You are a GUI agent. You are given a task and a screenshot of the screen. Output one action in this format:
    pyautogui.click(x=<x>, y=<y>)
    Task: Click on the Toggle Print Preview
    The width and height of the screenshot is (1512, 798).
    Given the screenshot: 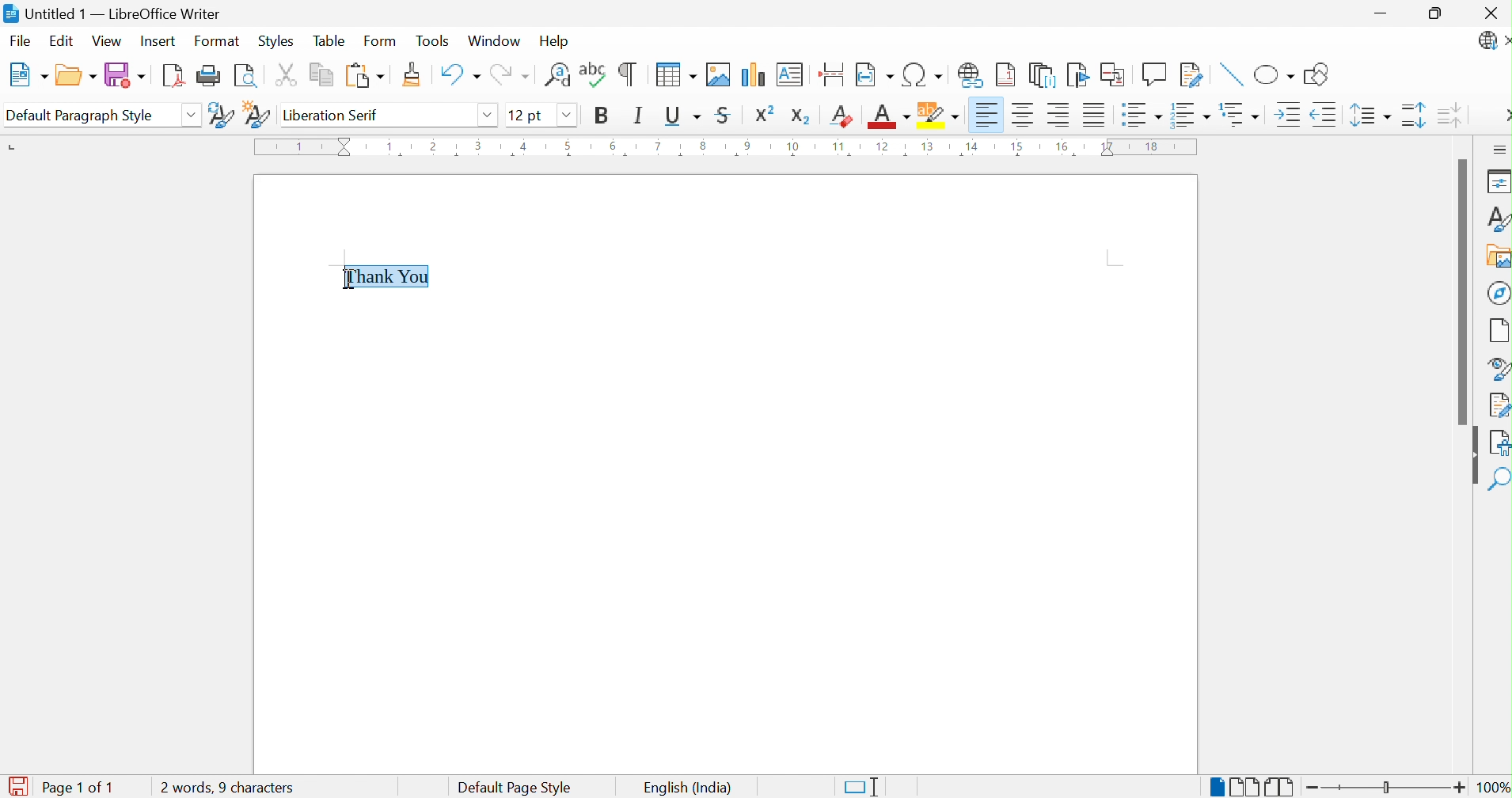 What is the action you would take?
    pyautogui.click(x=245, y=76)
    